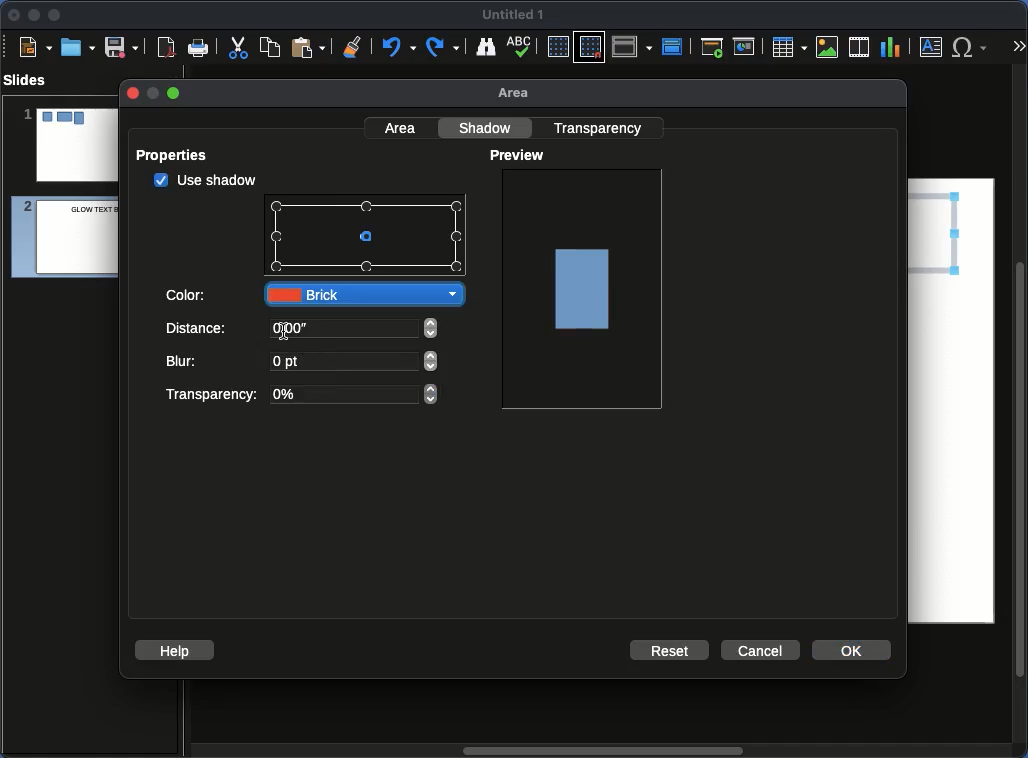 This screenshot has width=1028, height=758. What do you see at coordinates (270, 46) in the screenshot?
I see `Copy` at bounding box center [270, 46].